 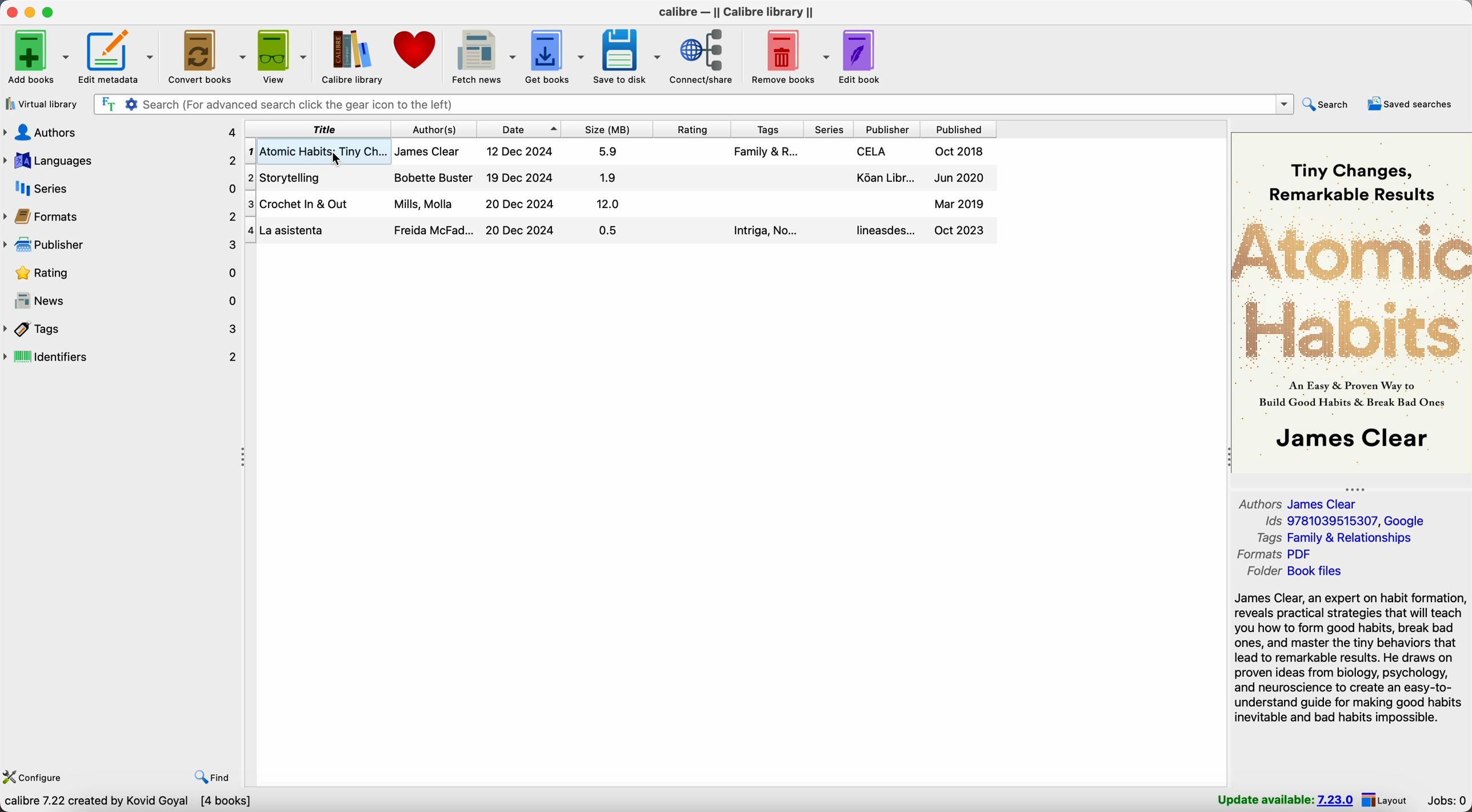 I want to click on convert books, so click(x=209, y=56).